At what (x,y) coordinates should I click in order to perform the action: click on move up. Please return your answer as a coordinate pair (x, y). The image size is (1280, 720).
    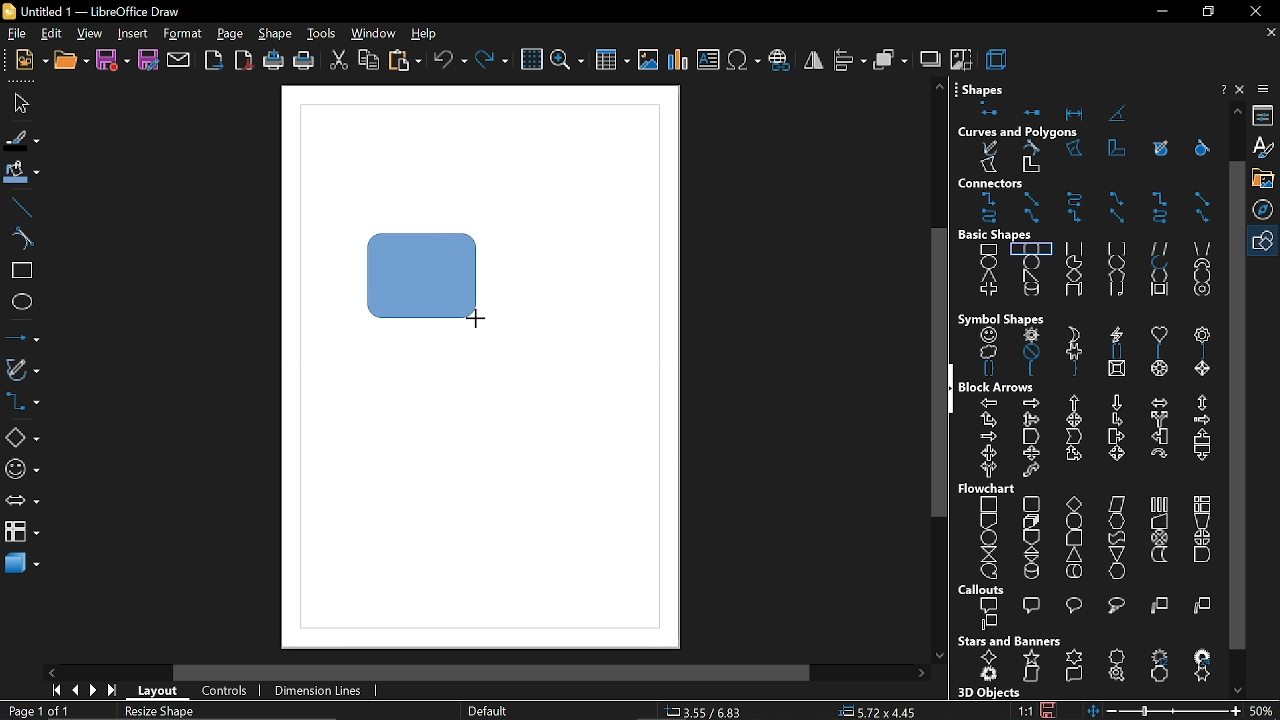
    Looking at the image, I should click on (1238, 110).